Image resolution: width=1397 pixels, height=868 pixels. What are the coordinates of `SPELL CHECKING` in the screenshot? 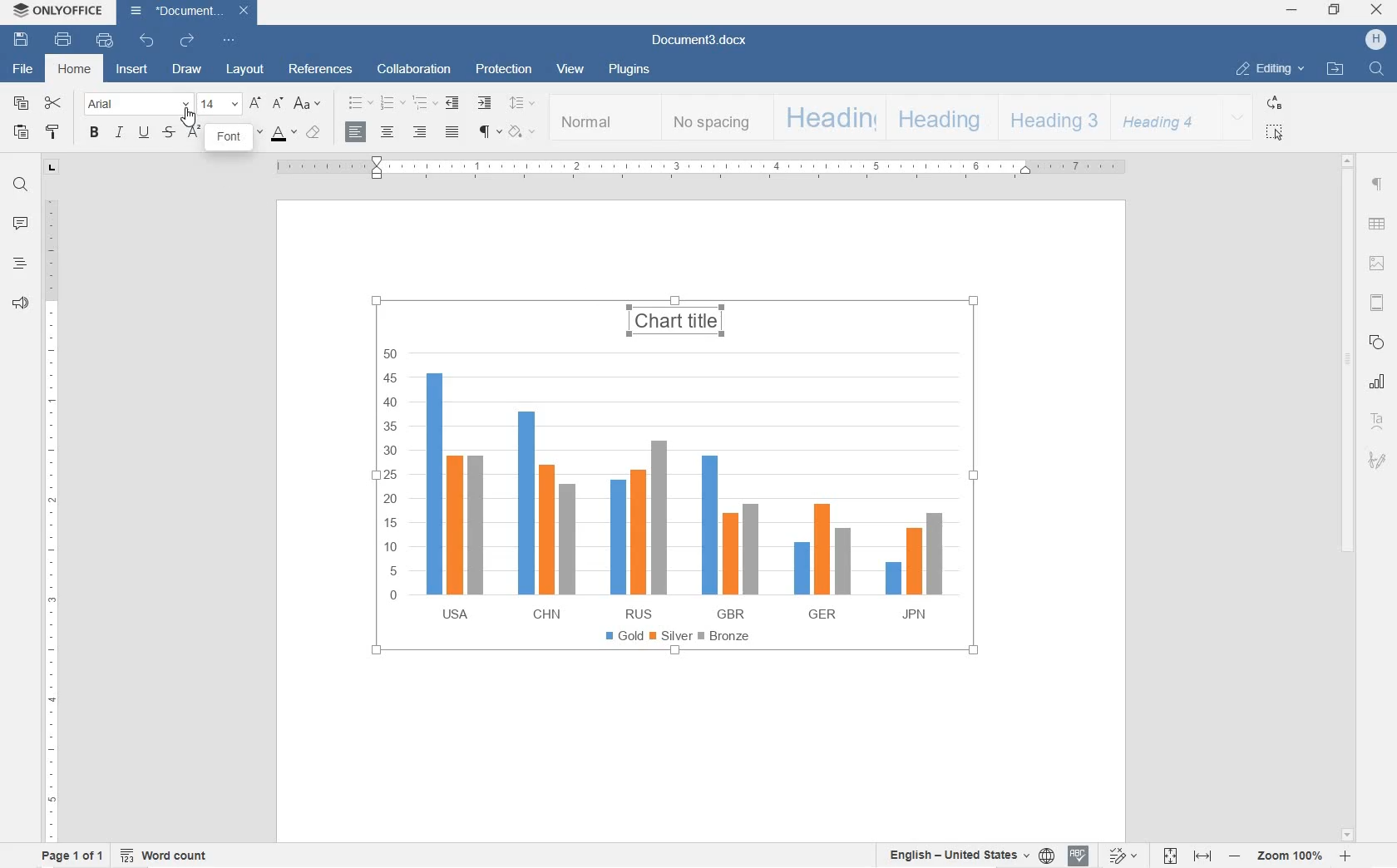 It's located at (1079, 856).